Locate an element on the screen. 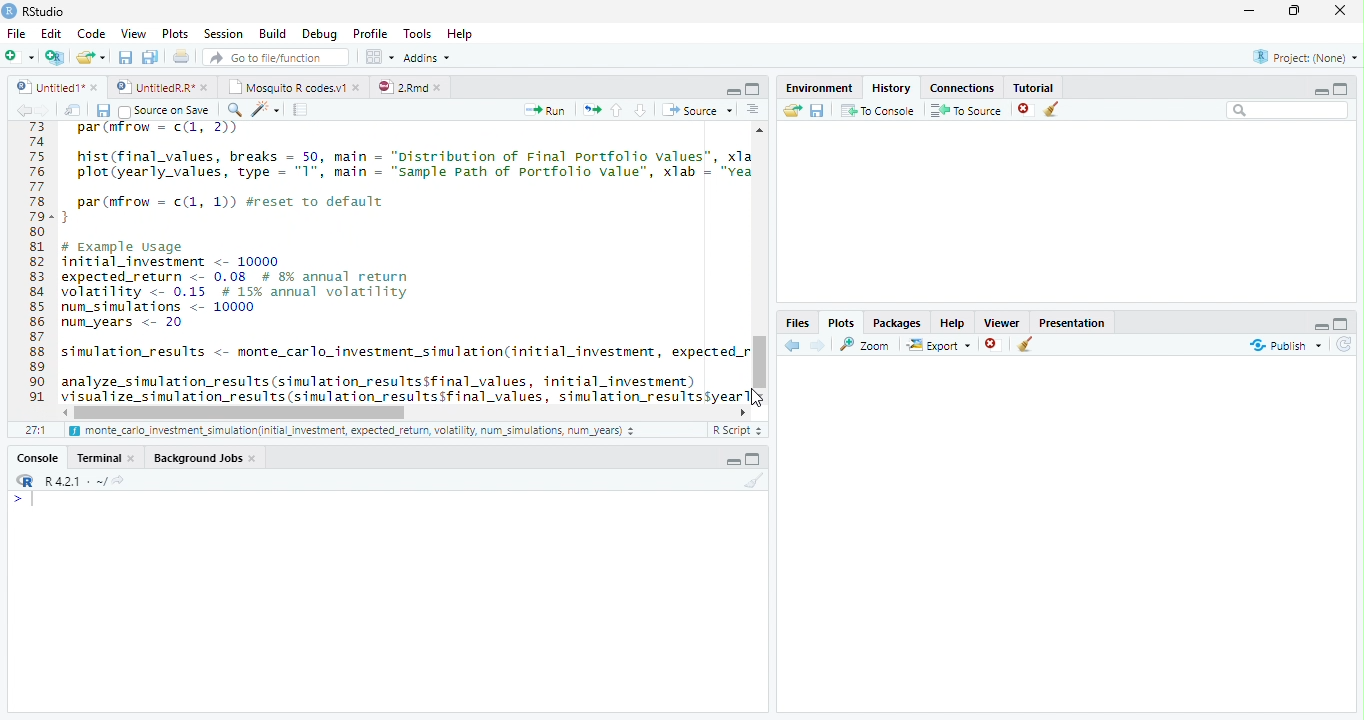 Image resolution: width=1364 pixels, height=720 pixels. Go to next section of code is located at coordinates (642, 111).